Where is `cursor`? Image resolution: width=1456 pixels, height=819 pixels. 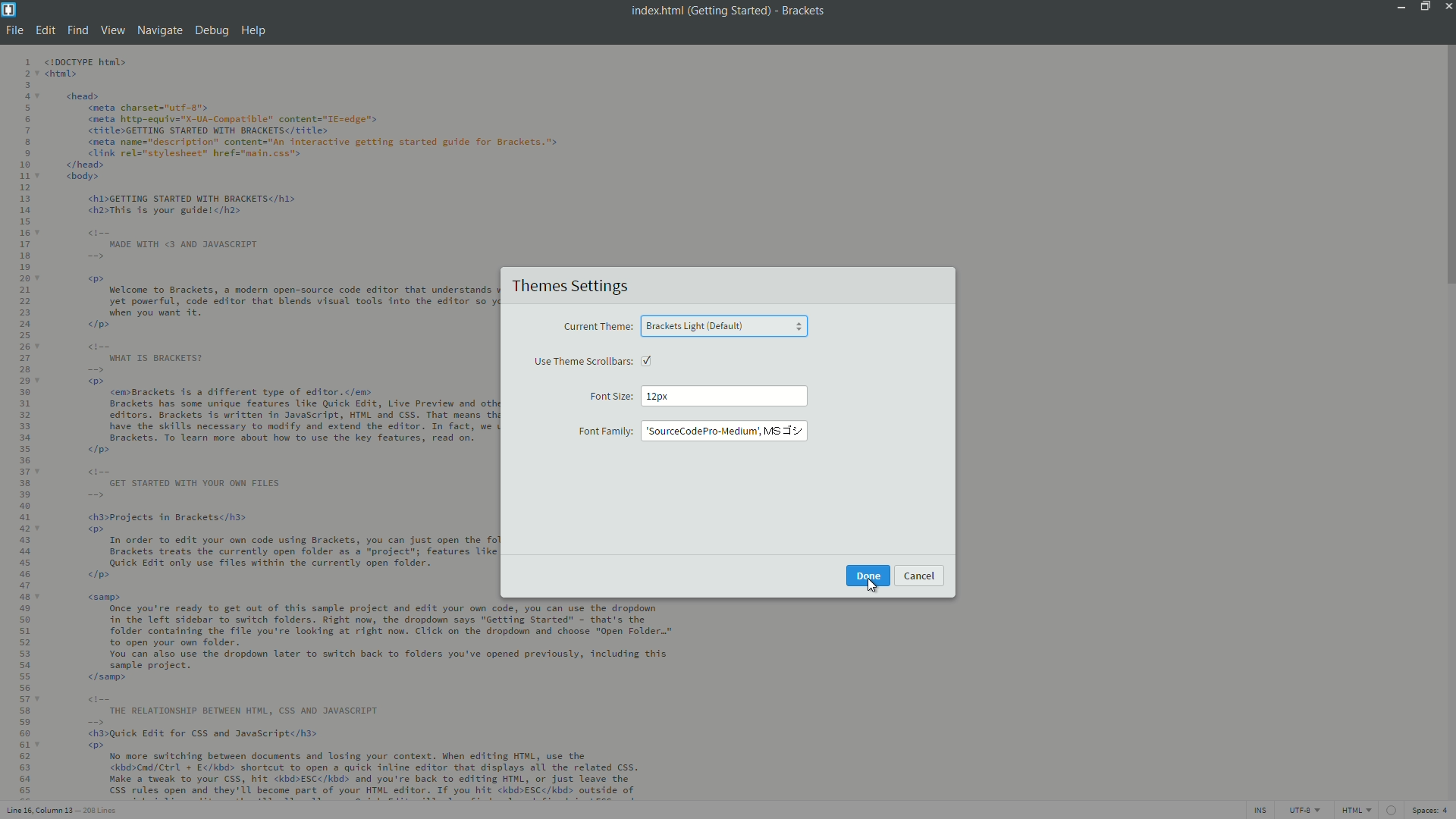
cursor is located at coordinates (874, 587).